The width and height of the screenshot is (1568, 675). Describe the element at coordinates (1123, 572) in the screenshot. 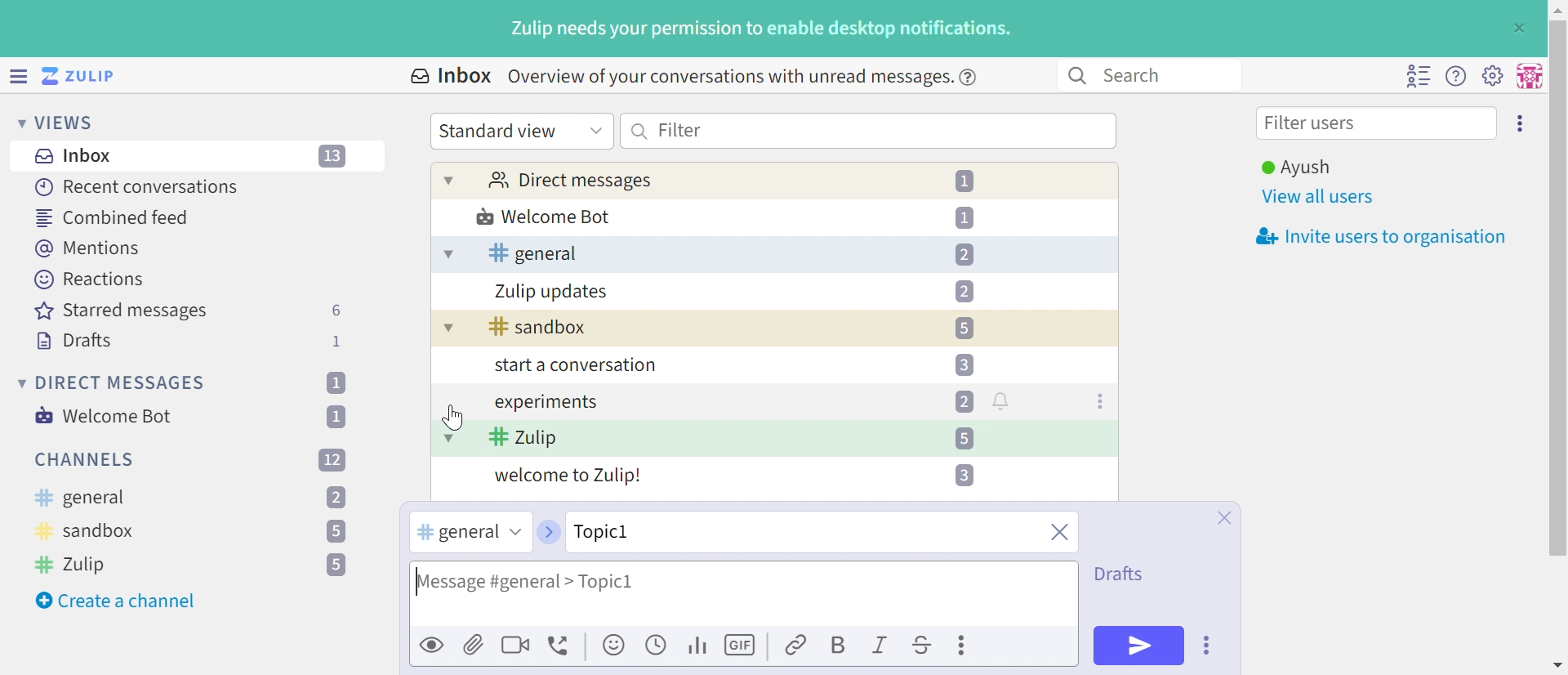

I see `Drafts` at that location.